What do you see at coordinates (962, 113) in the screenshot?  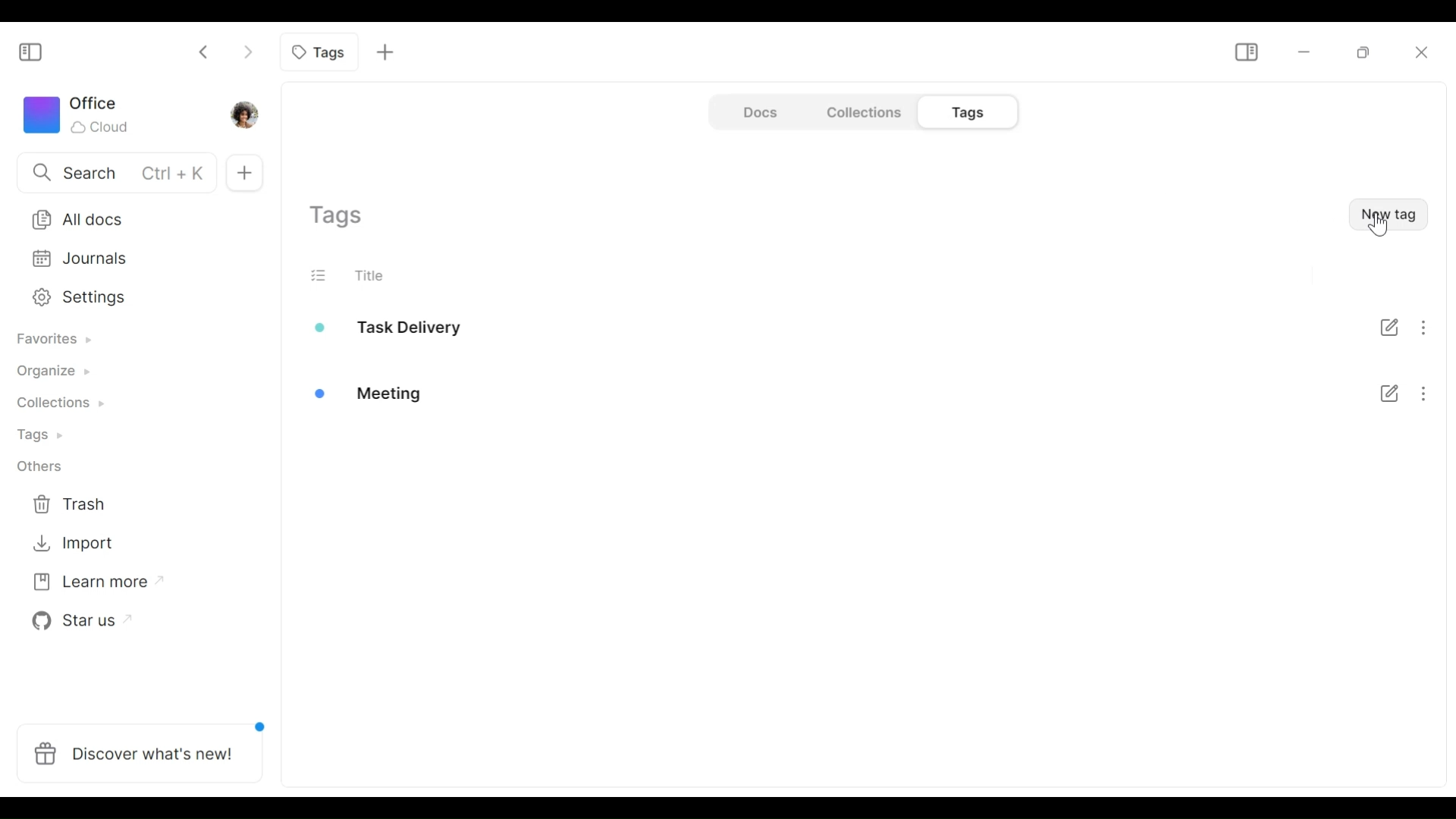 I see `Tags` at bounding box center [962, 113].